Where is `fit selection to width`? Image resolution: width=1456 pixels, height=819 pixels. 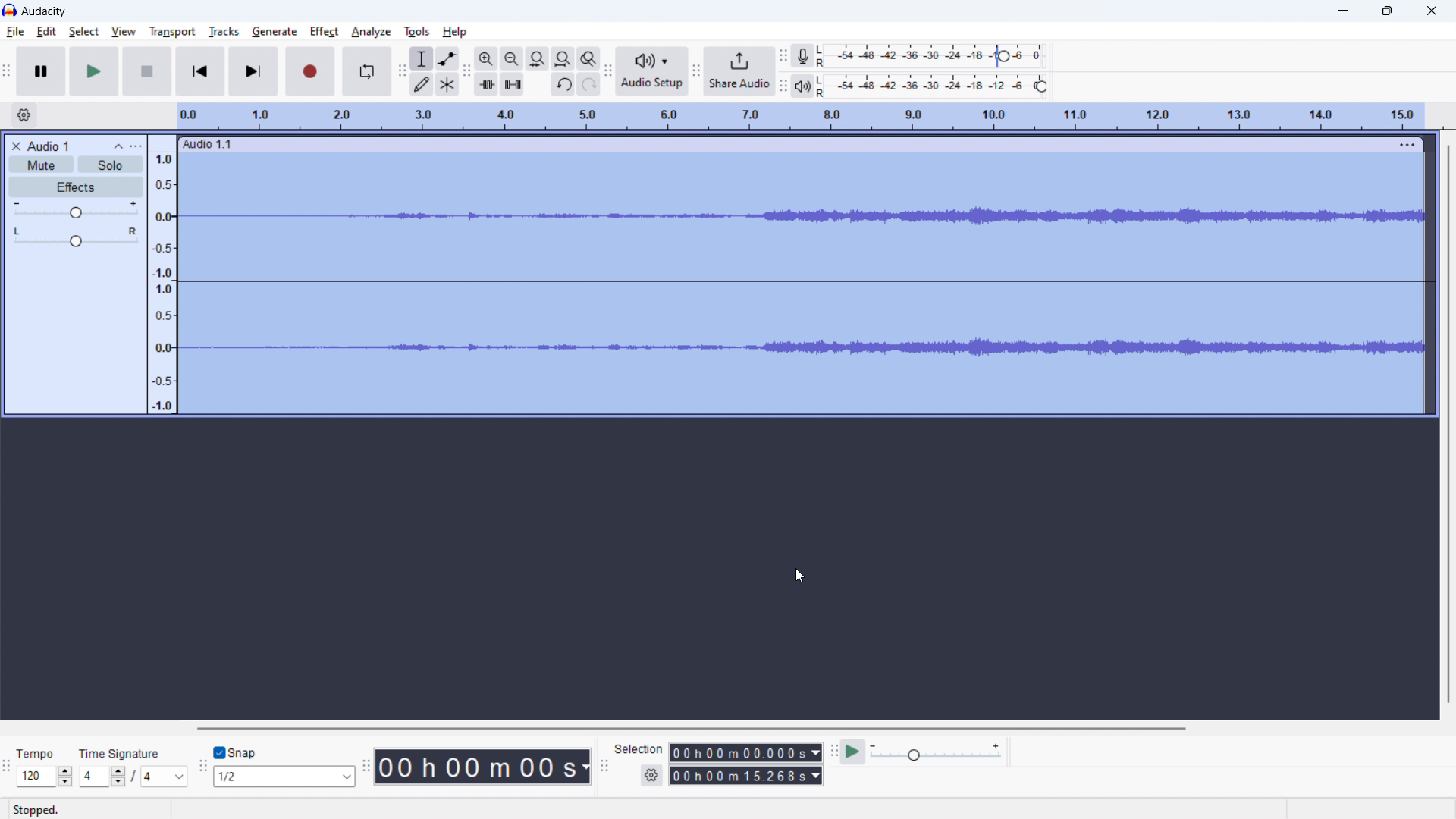
fit selection to width is located at coordinates (537, 59).